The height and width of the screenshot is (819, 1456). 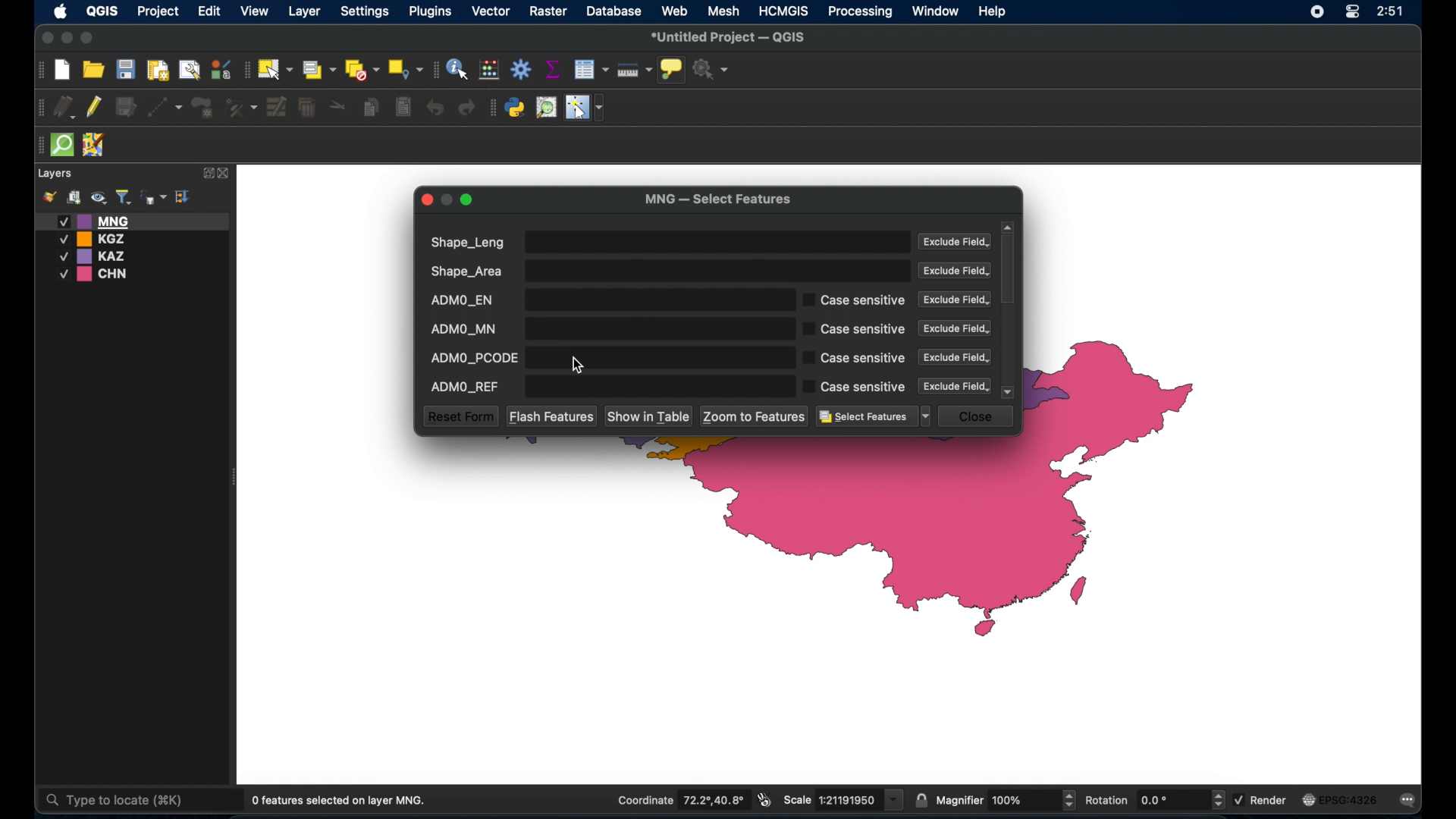 What do you see at coordinates (585, 108) in the screenshot?
I see `switches mouse to configurable pointer` at bounding box center [585, 108].